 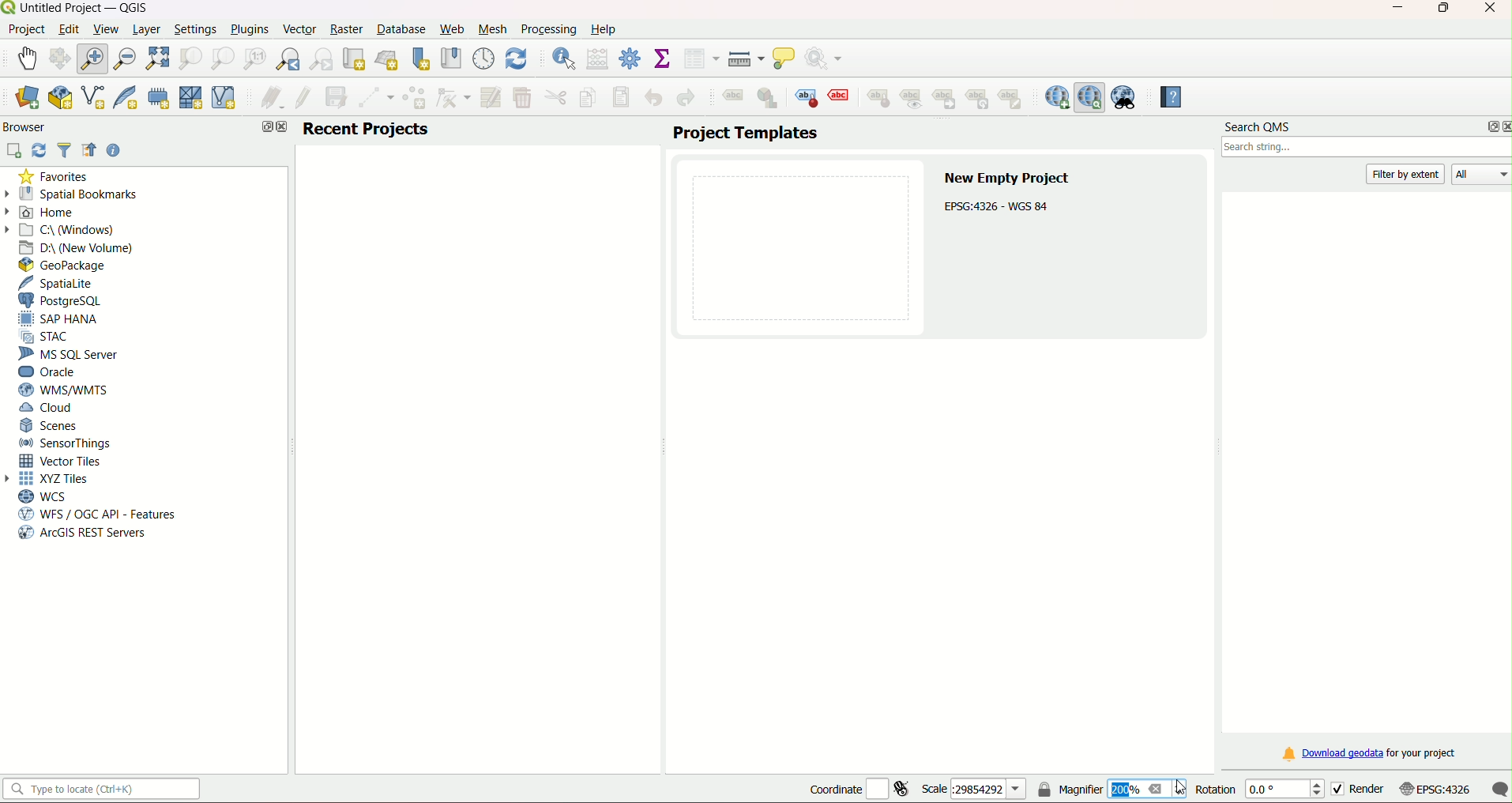 I want to click on new map view, so click(x=355, y=58).